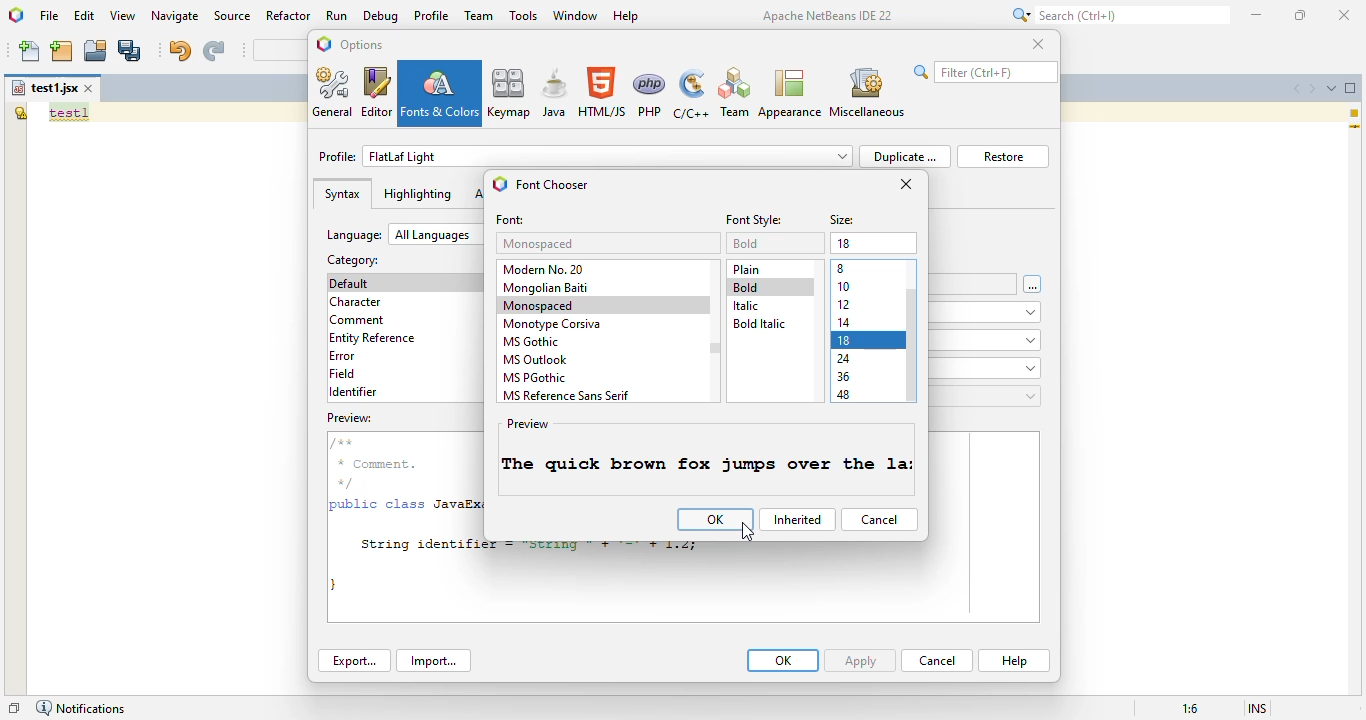 This screenshot has width=1366, height=720. I want to click on close, so click(1343, 14).